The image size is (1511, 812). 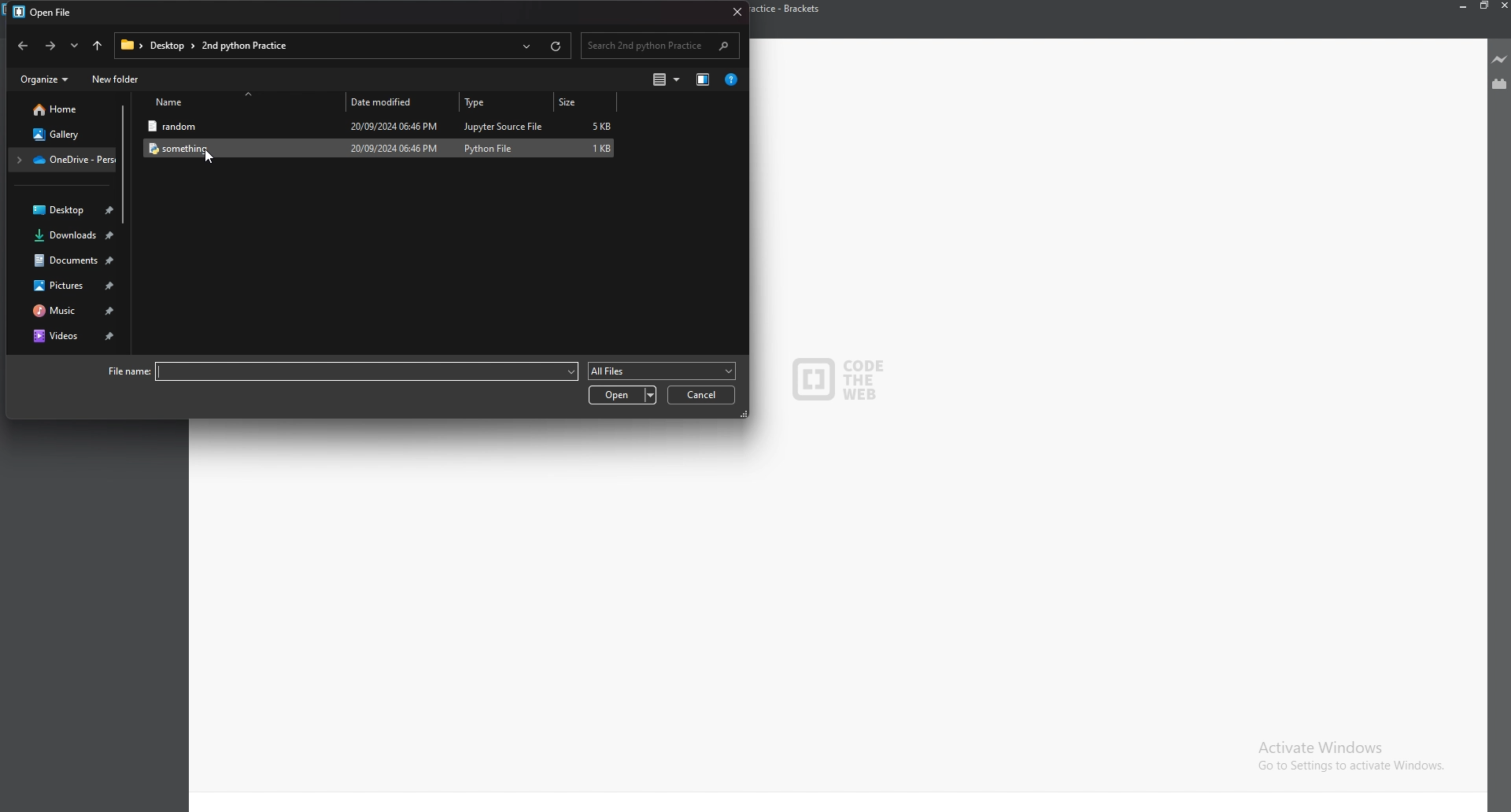 I want to click on help, so click(x=732, y=79).